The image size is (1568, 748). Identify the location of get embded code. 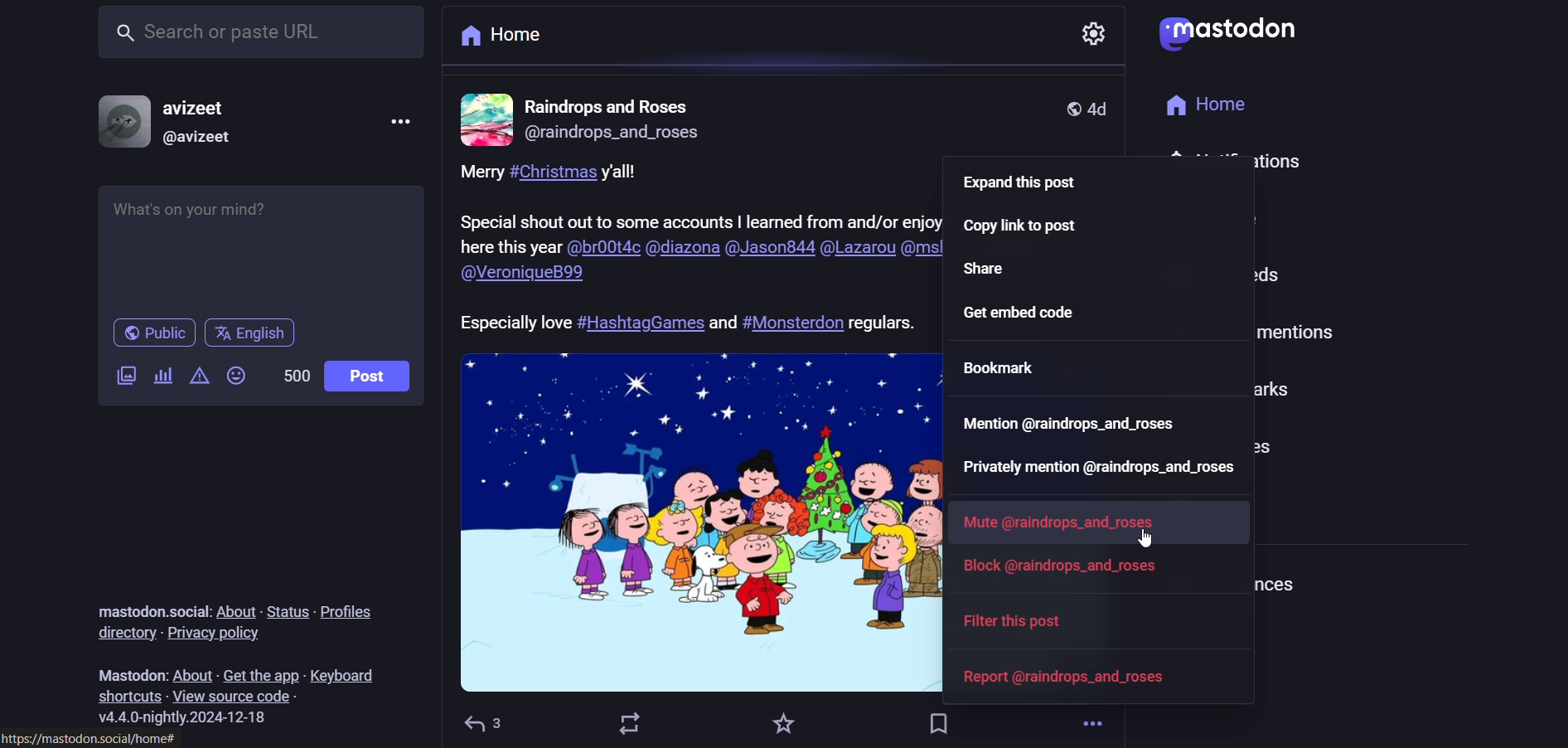
(1026, 314).